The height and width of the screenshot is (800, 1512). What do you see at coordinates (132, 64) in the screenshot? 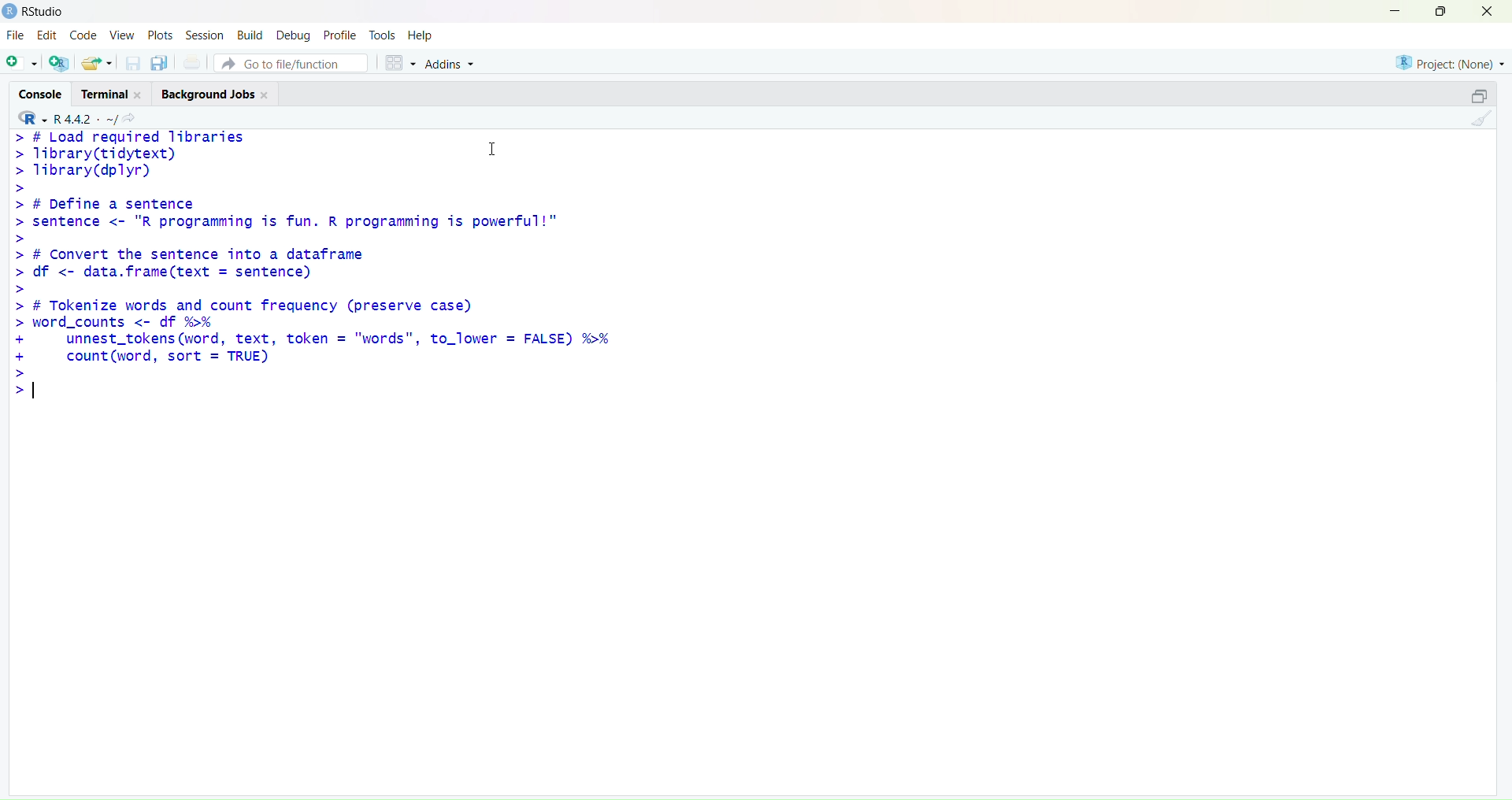
I see `save current document` at bounding box center [132, 64].